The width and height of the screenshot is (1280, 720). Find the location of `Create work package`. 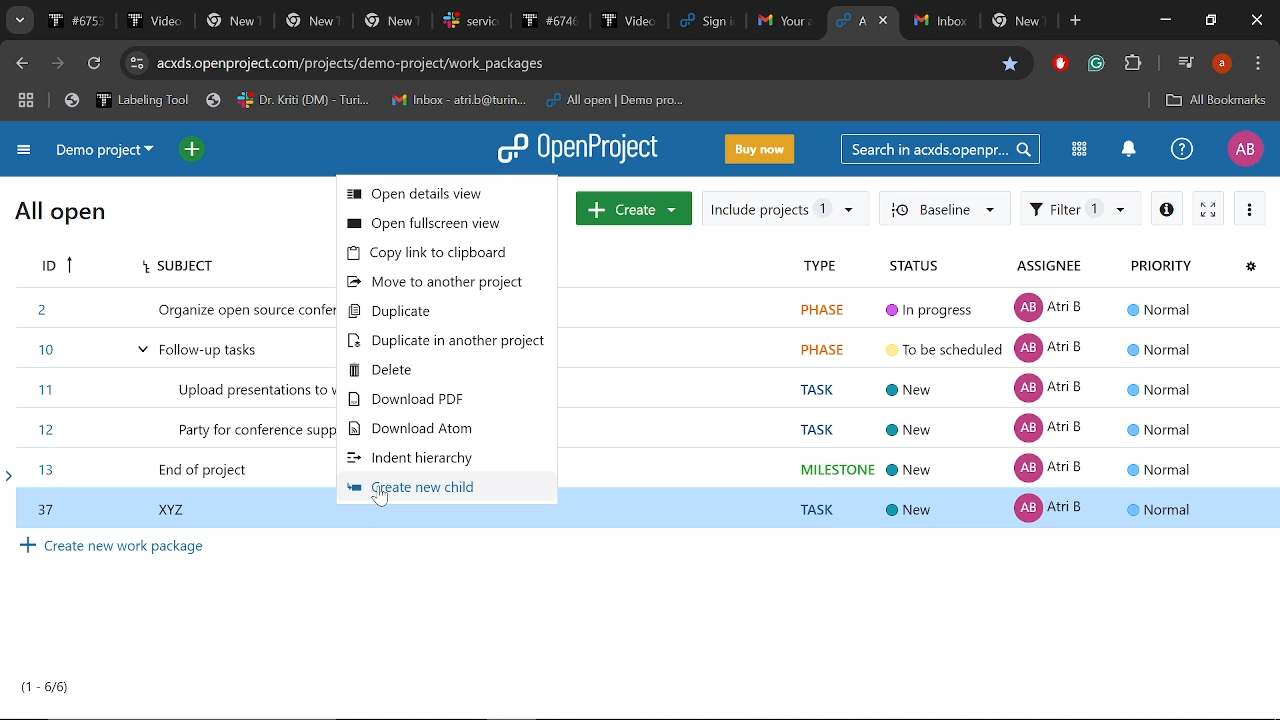

Create work package is located at coordinates (114, 546).